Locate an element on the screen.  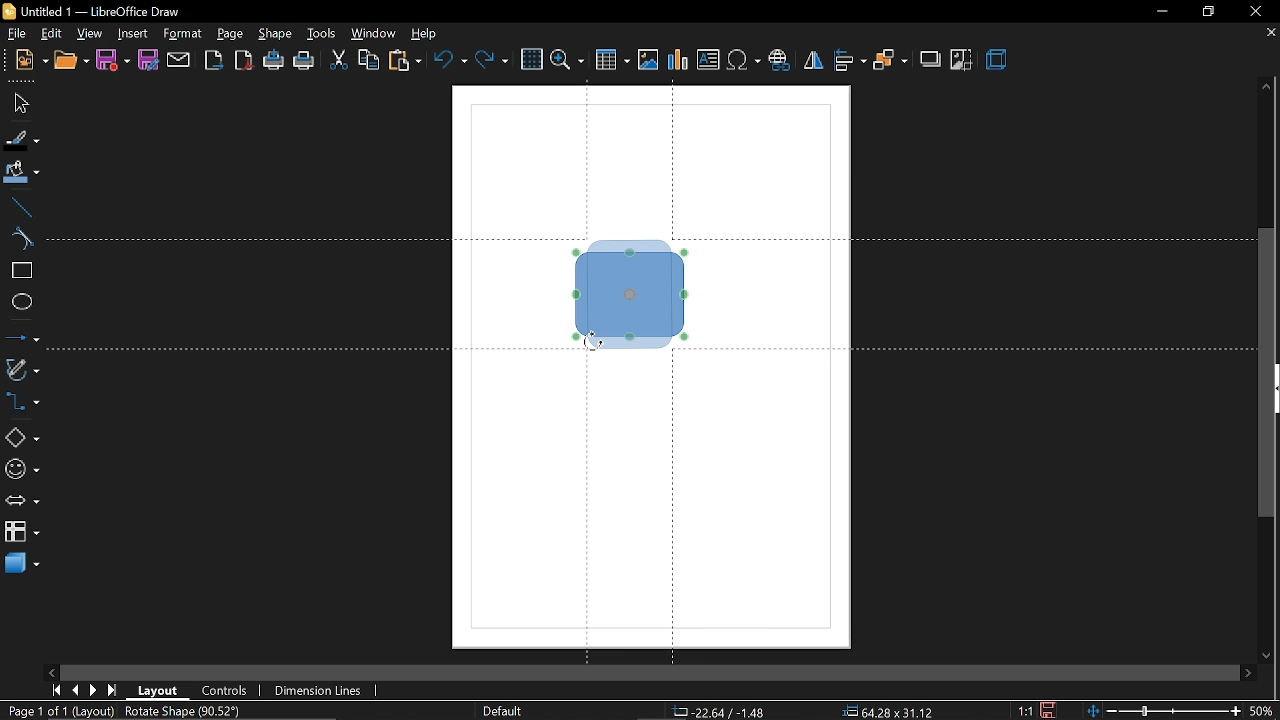
current zoom is located at coordinates (1265, 712).